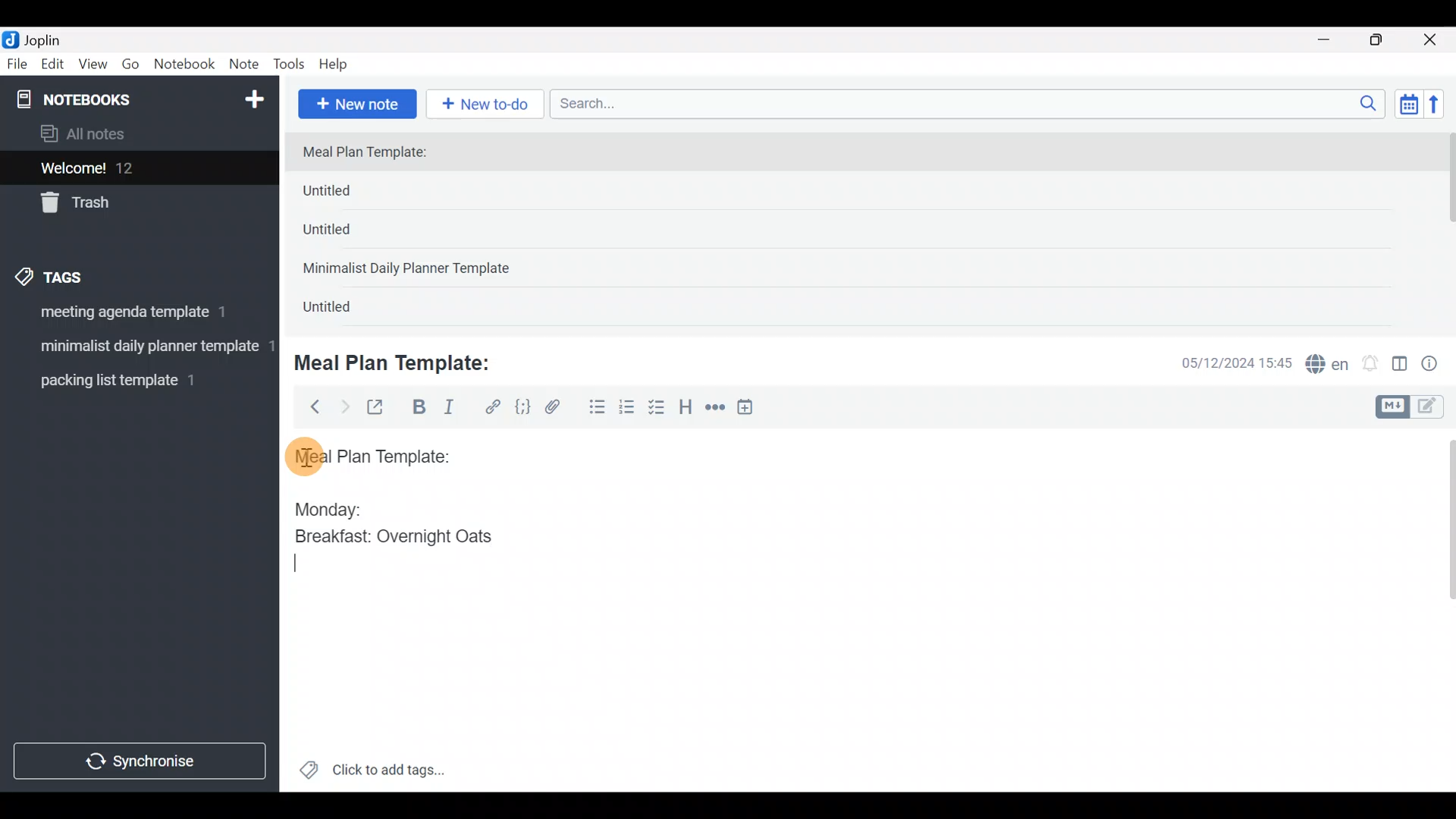  I want to click on Tag 2, so click(139, 348).